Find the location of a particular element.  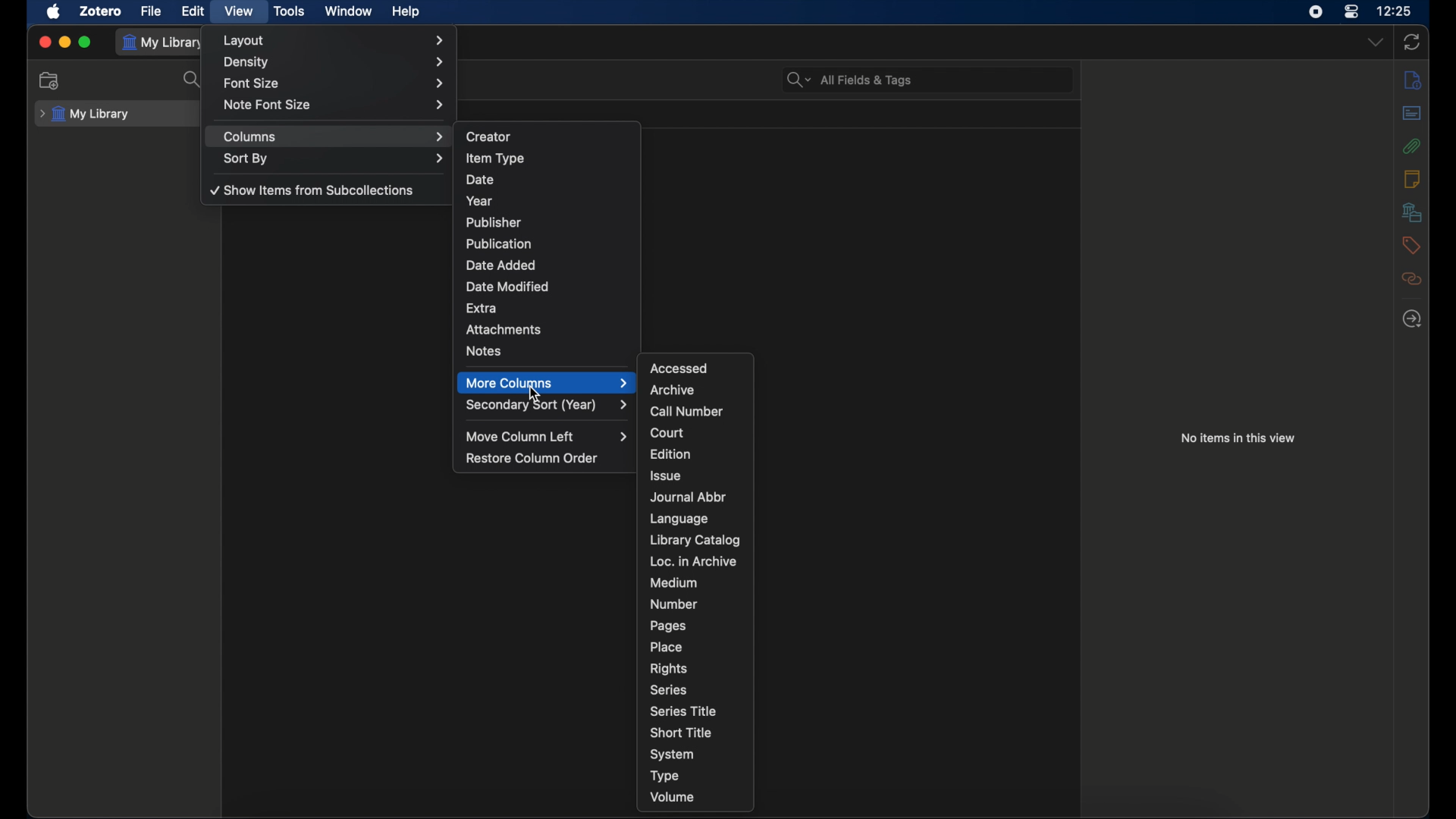

system is located at coordinates (673, 755).